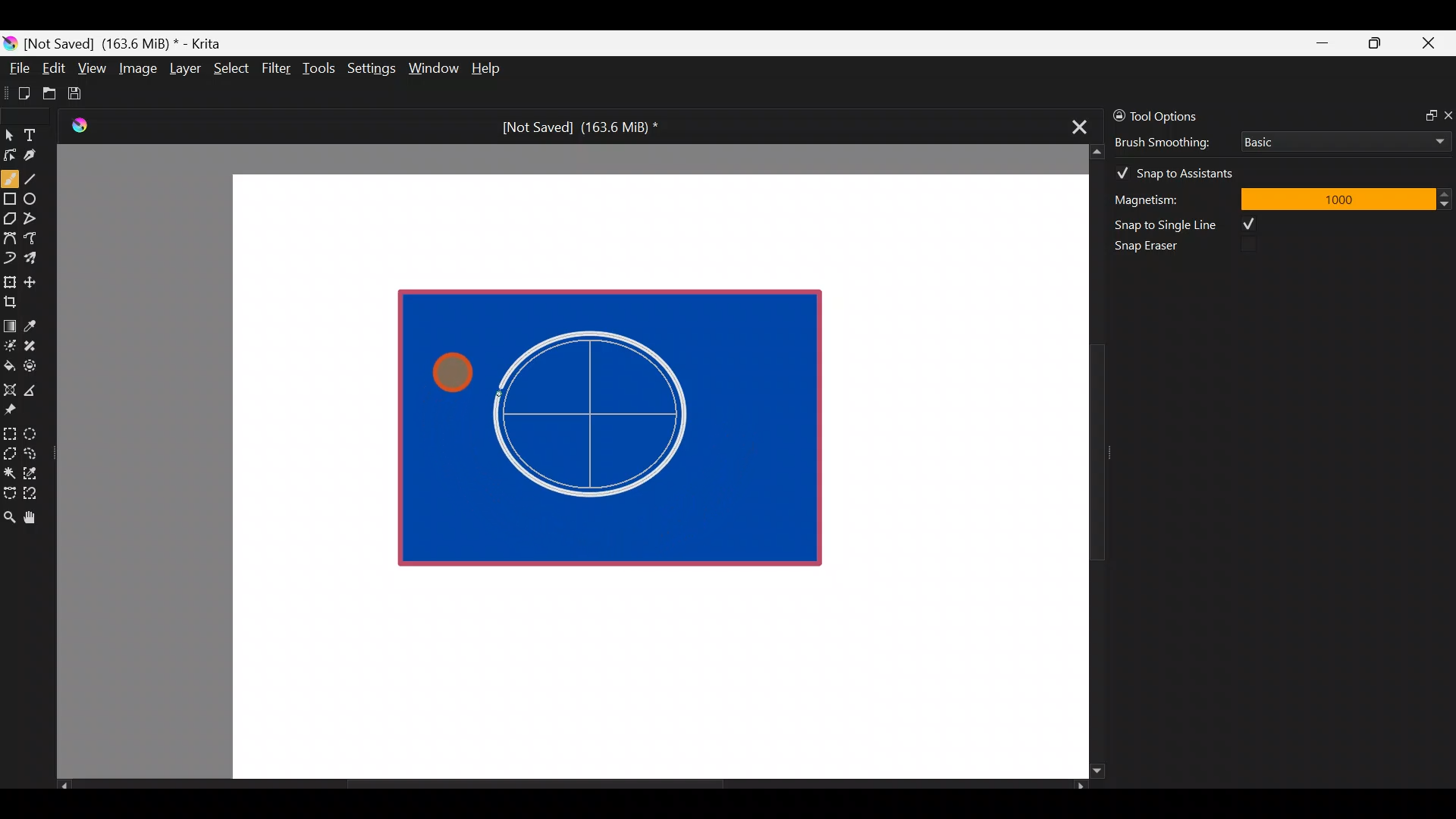 This screenshot has height=819, width=1456. What do you see at coordinates (9, 219) in the screenshot?
I see `Polygon tool` at bounding box center [9, 219].